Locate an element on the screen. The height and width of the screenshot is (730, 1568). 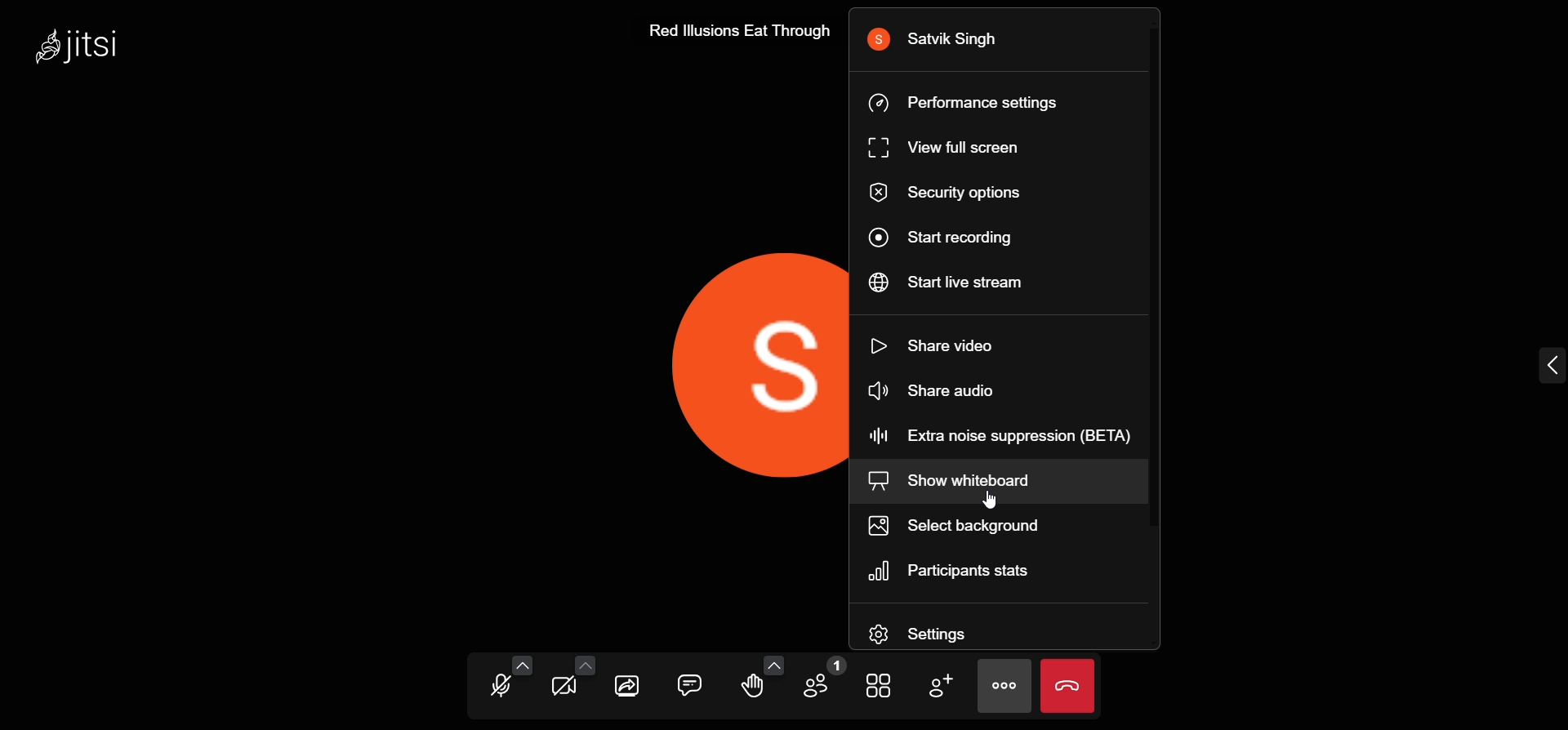
security options is located at coordinates (960, 194).